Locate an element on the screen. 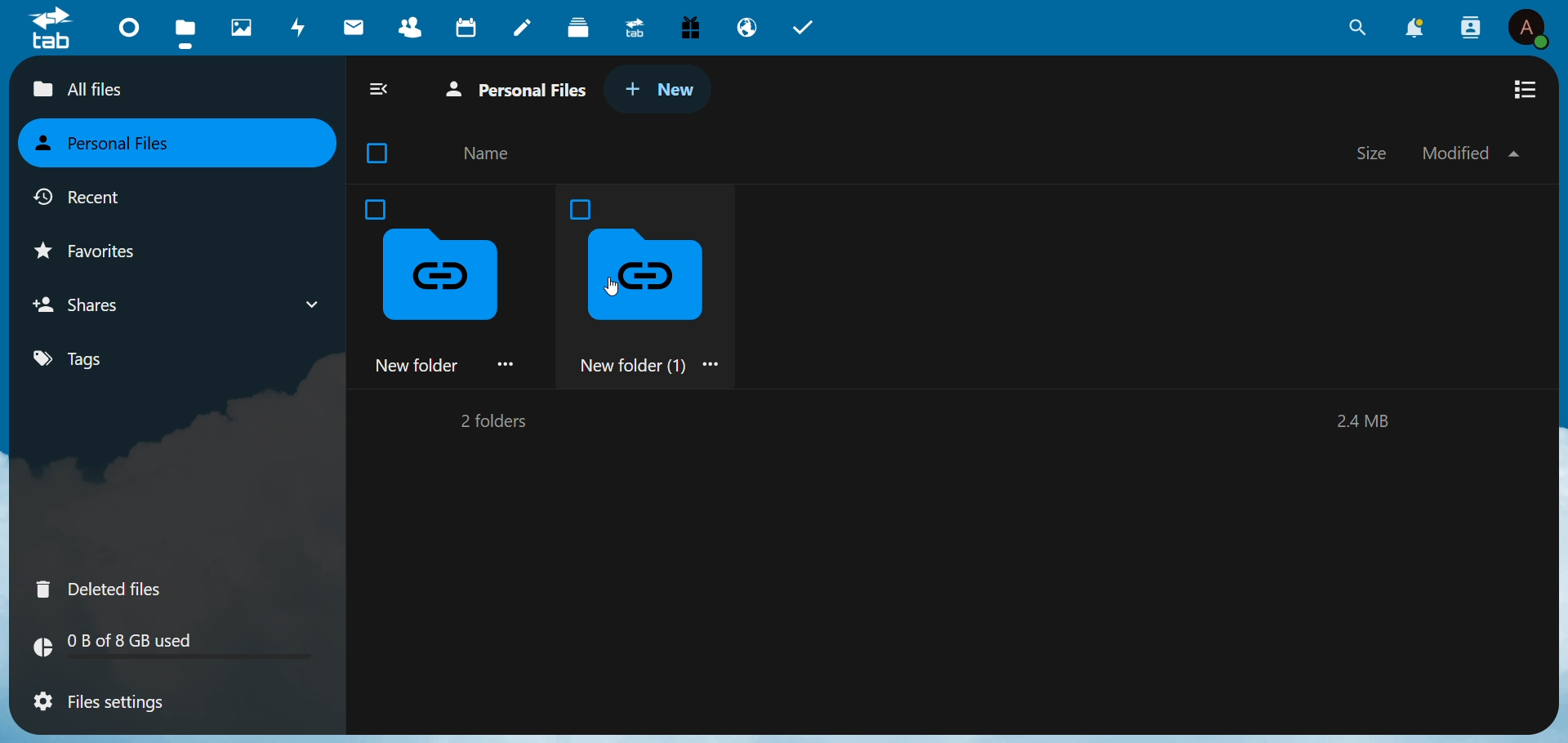 This screenshot has height=743, width=1568. calender is located at coordinates (468, 27).